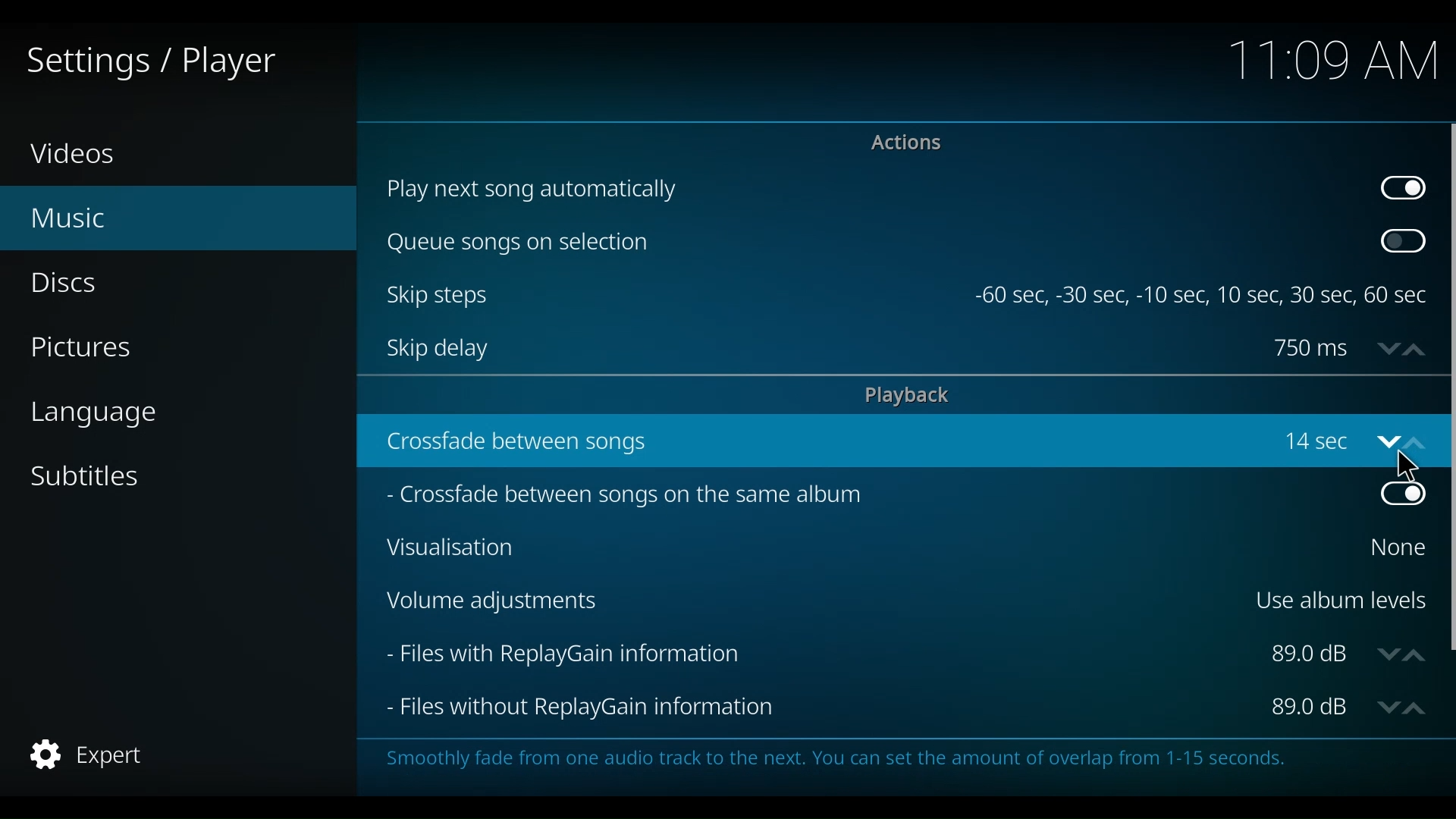  What do you see at coordinates (902, 143) in the screenshot?
I see `Actions` at bounding box center [902, 143].